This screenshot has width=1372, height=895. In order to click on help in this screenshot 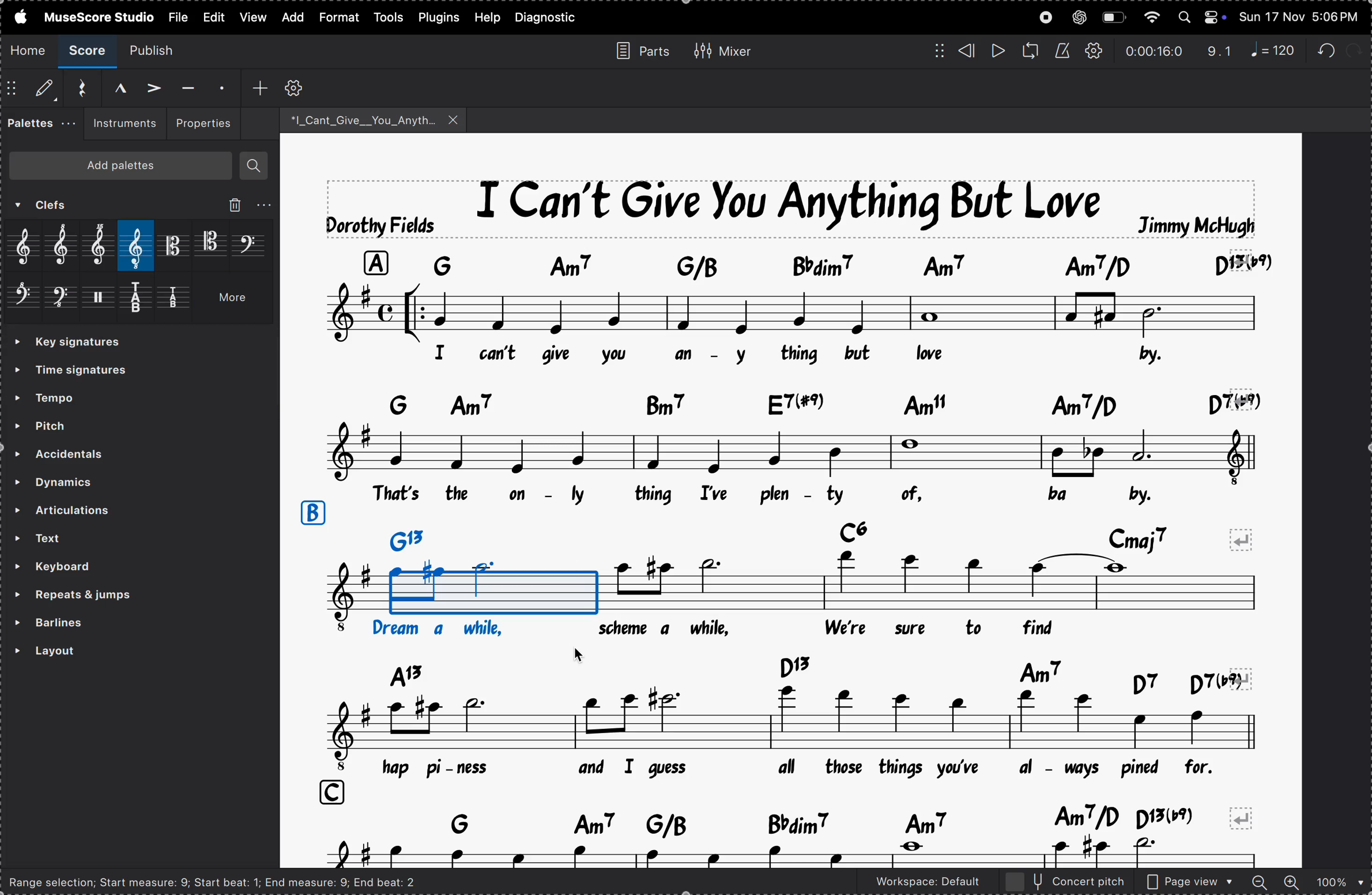, I will do `click(487, 17)`.